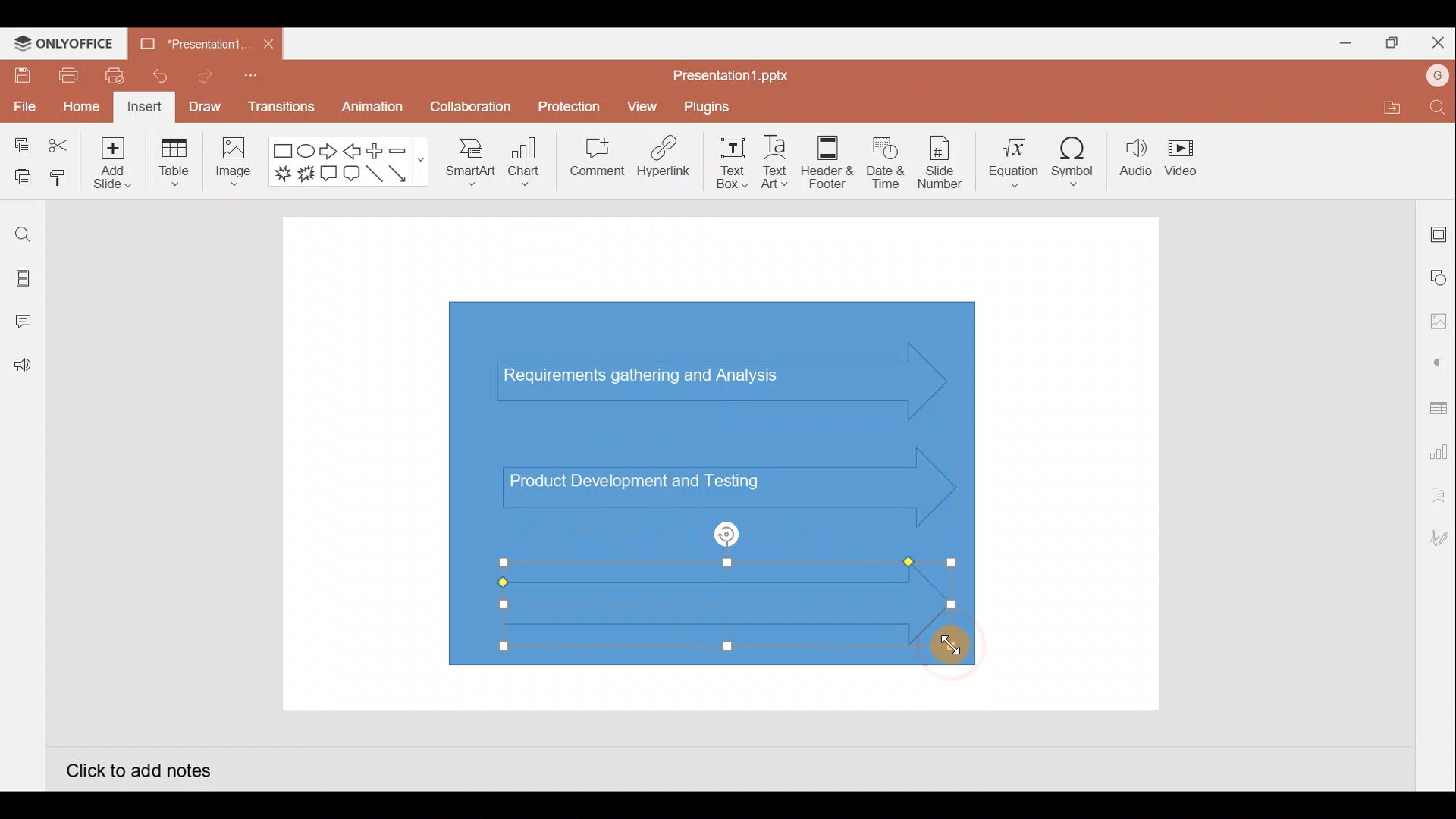 The width and height of the screenshot is (1456, 819). Describe the element at coordinates (329, 174) in the screenshot. I see `Rectangular callout` at that location.